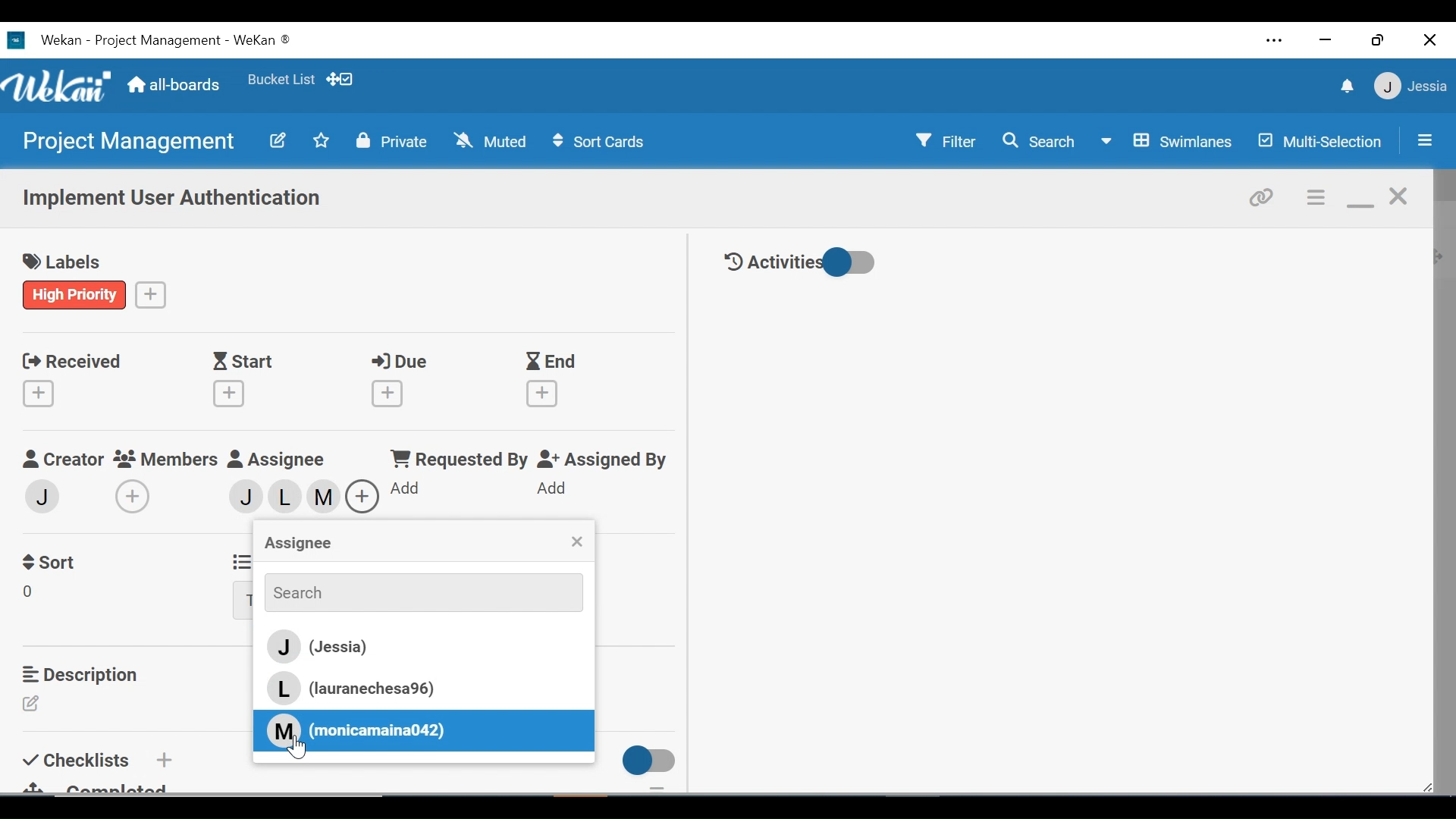 The image size is (1456, 819). What do you see at coordinates (246, 362) in the screenshot?
I see `Start Date` at bounding box center [246, 362].